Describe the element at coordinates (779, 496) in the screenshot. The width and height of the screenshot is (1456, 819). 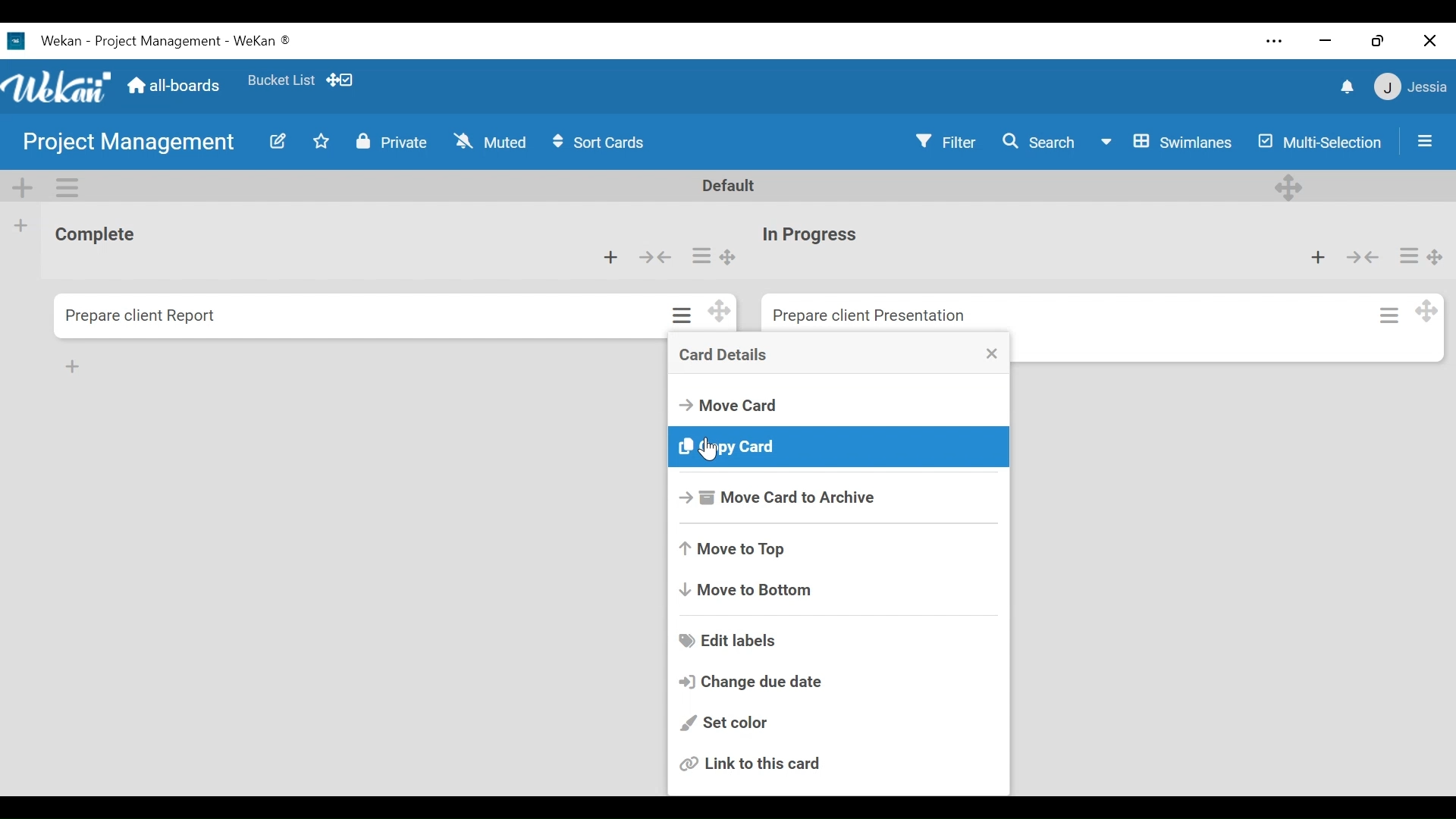
I see `Move Card to Archive` at that location.